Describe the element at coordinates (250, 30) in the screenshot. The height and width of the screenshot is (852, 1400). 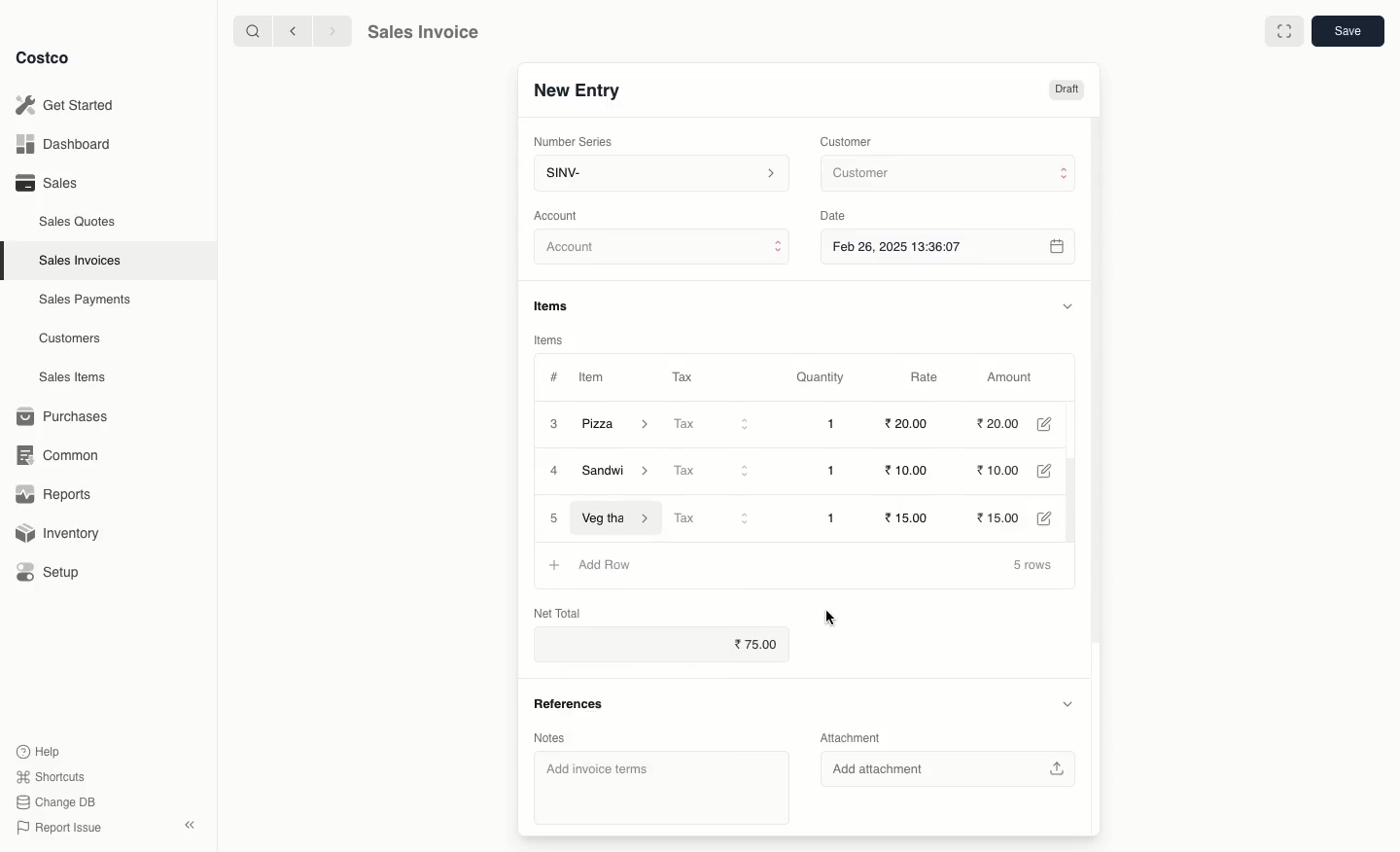
I see `Search` at that location.